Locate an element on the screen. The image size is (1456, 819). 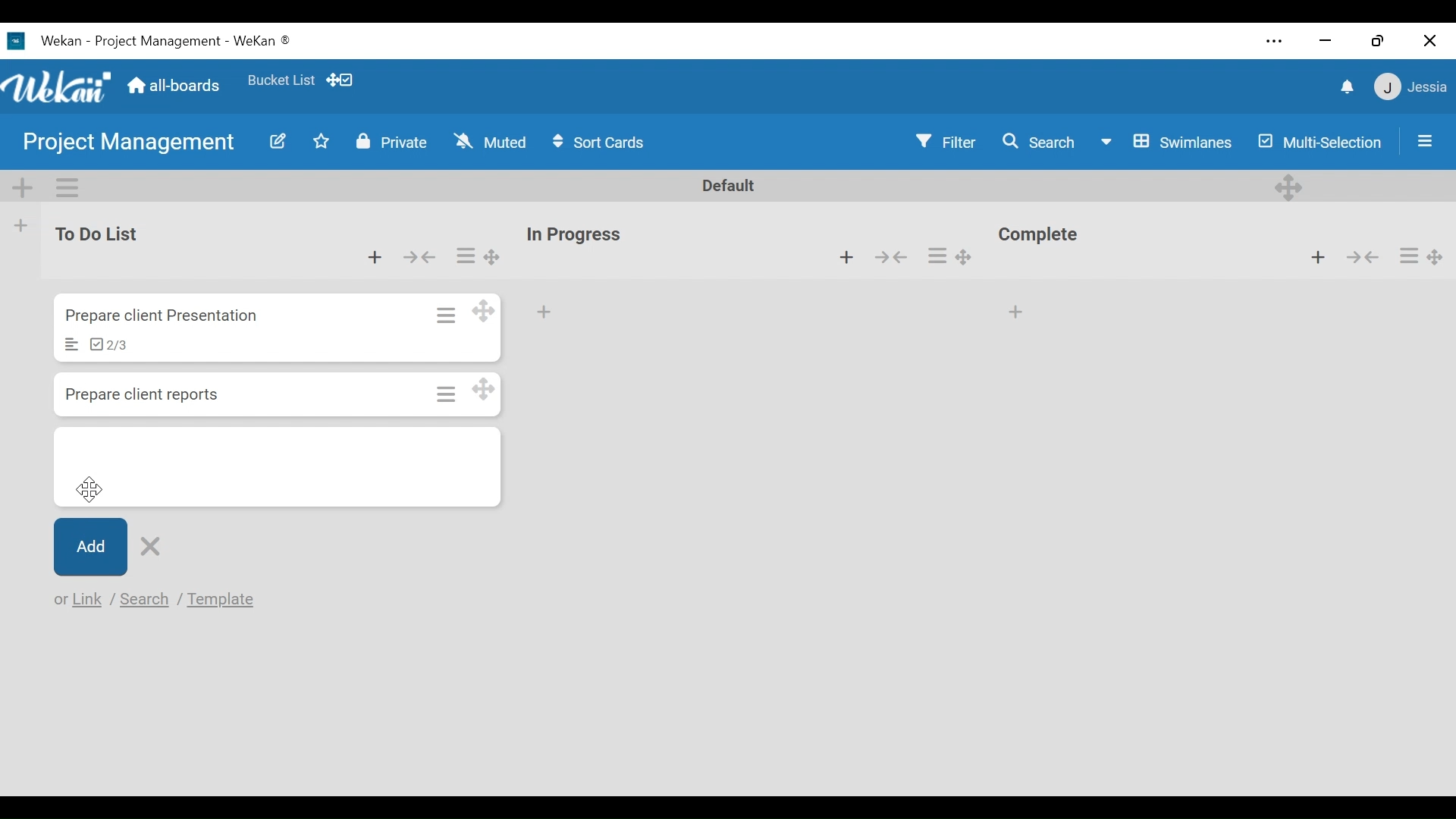
Board View is located at coordinates (1166, 141).